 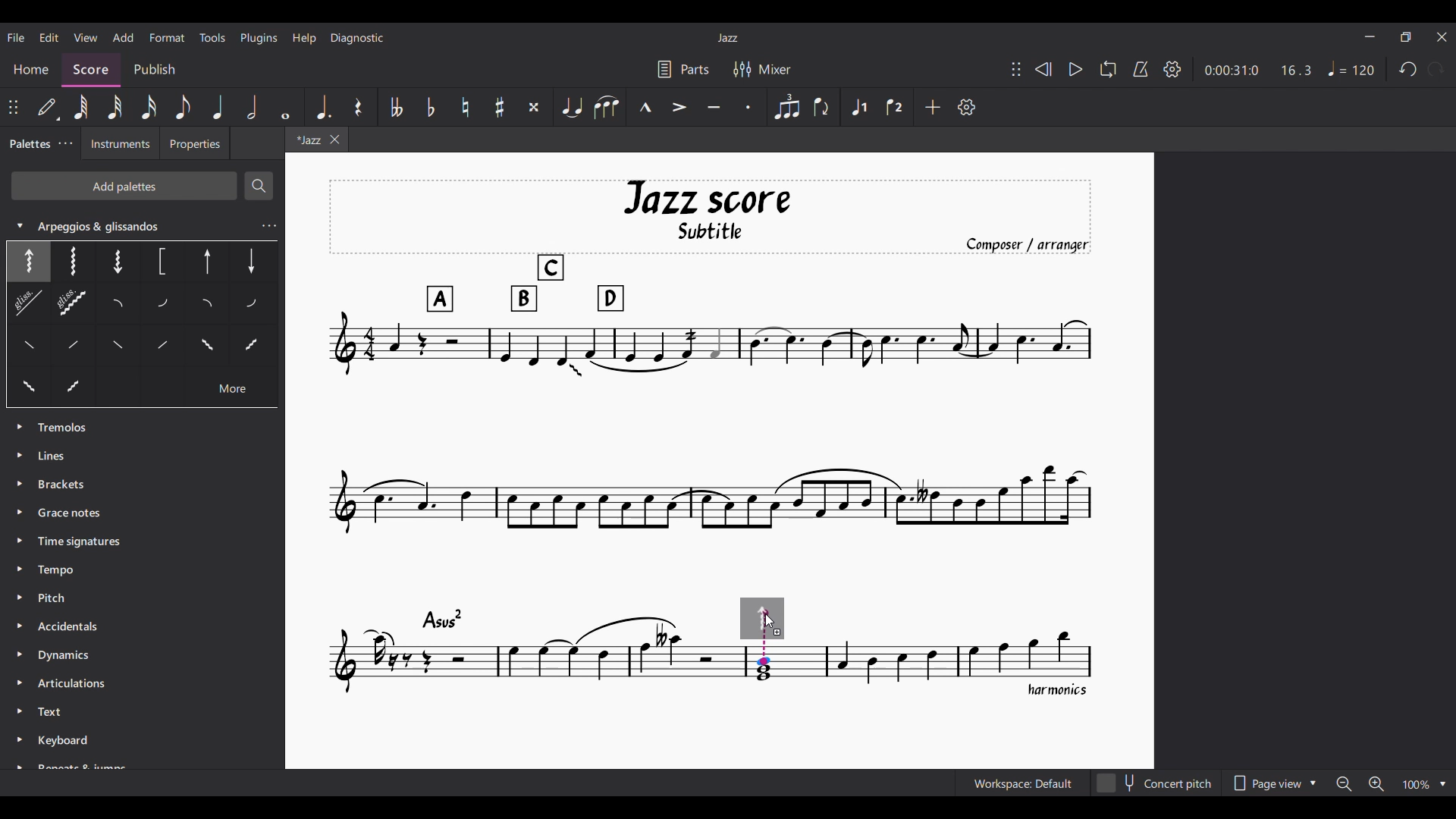 What do you see at coordinates (764, 638) in the screenshot?
I see `Indicates point of contact` at bounding box center [764, 638].